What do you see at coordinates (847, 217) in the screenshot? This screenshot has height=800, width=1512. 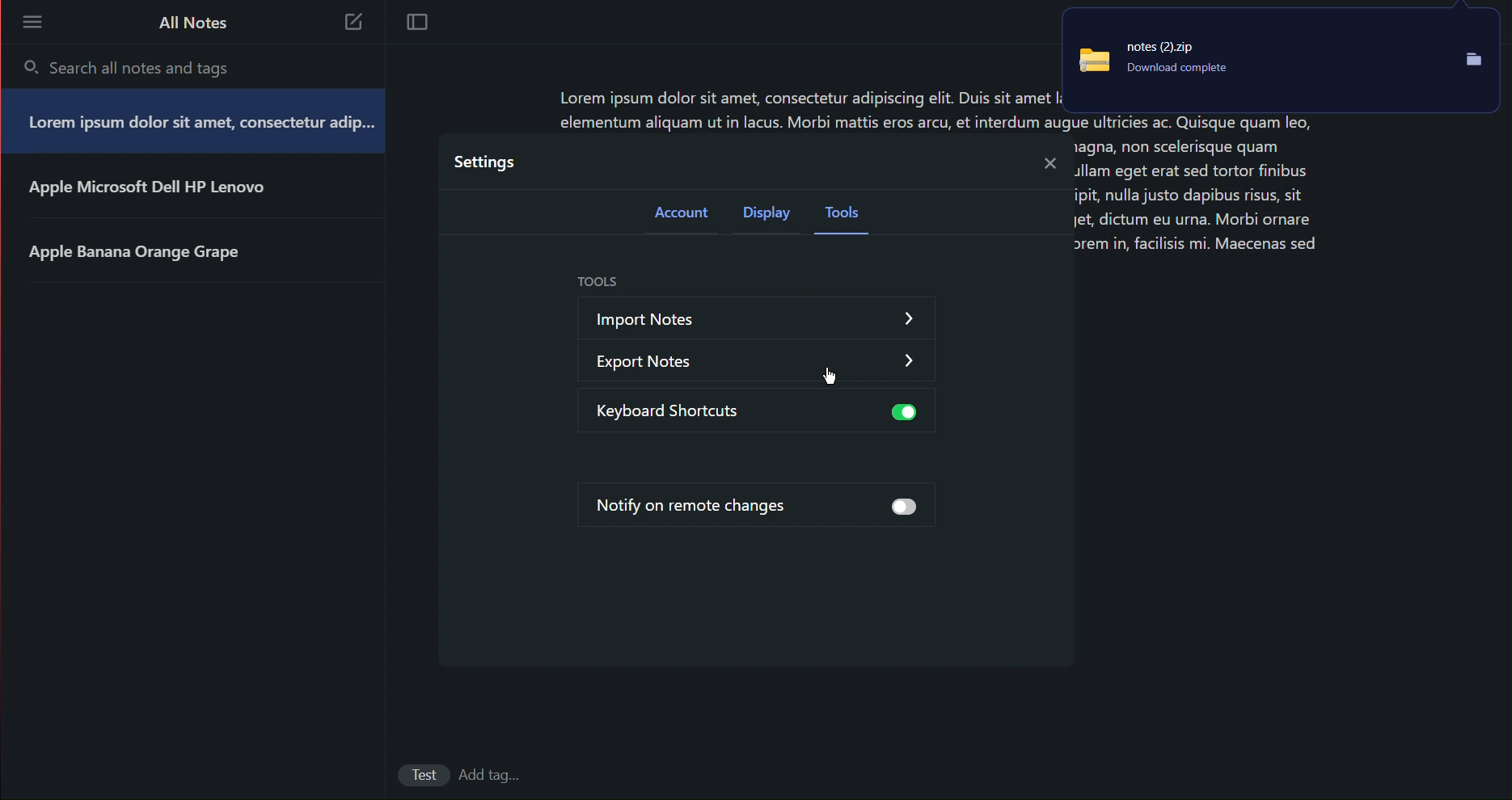 I see `Tools` at bounding box center [847, 217].